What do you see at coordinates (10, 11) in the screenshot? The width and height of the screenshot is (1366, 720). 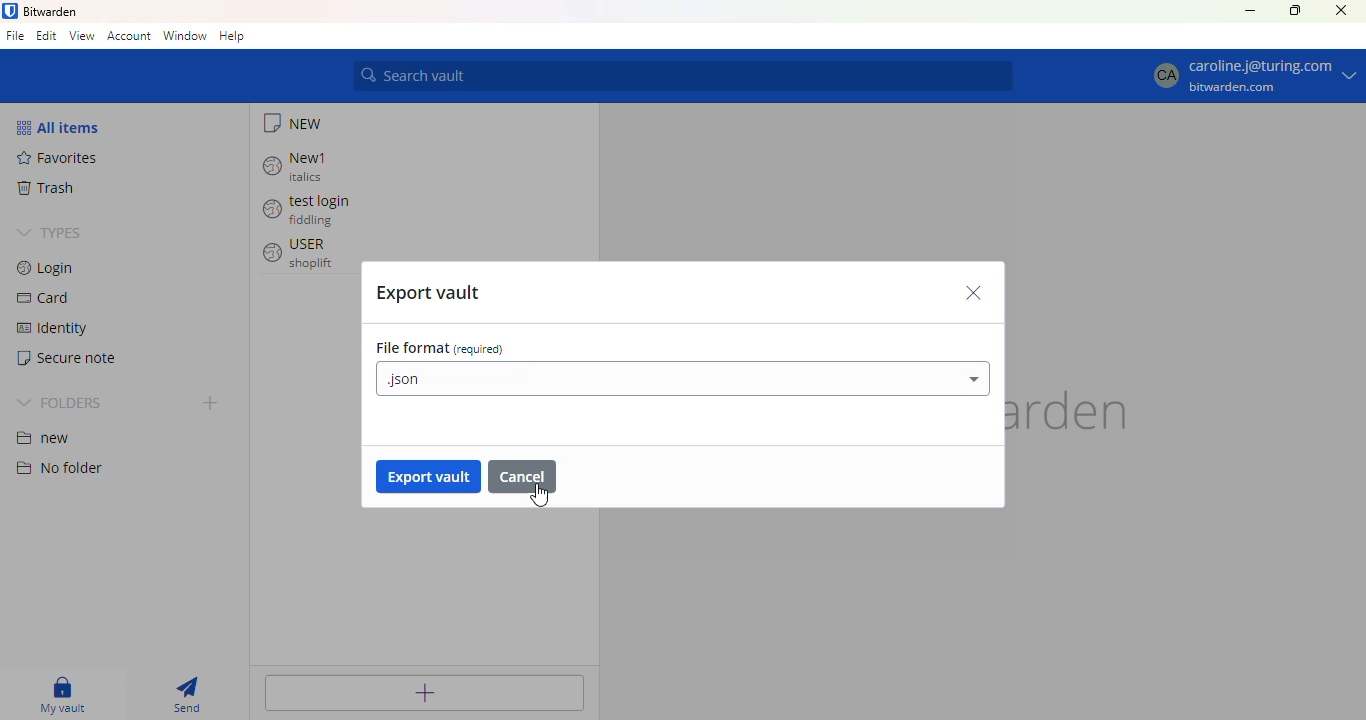 I see `logo` at bounding box center [10, 11].